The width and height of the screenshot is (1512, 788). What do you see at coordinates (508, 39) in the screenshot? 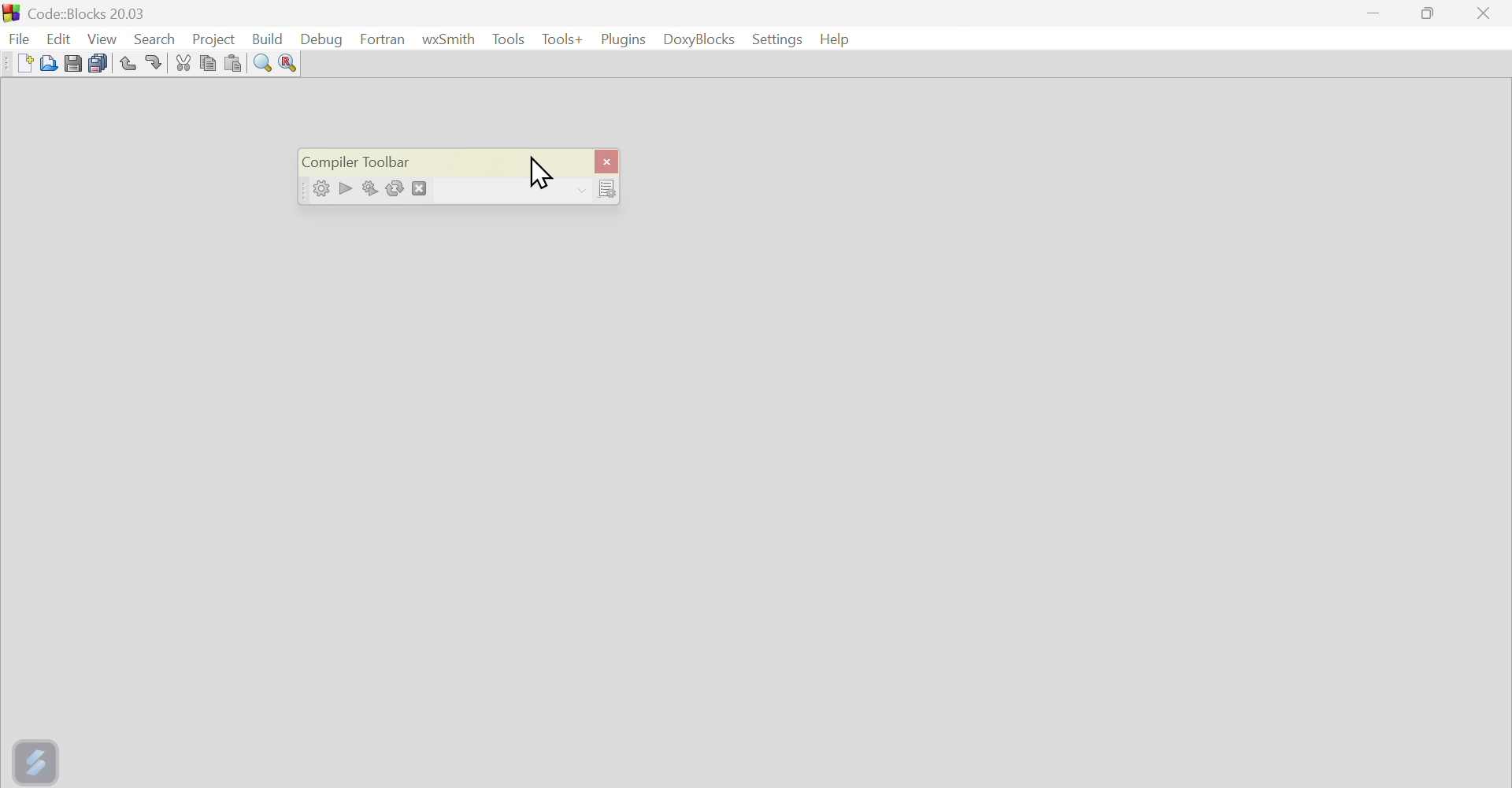
I see `` at bounding box center [508, 39].